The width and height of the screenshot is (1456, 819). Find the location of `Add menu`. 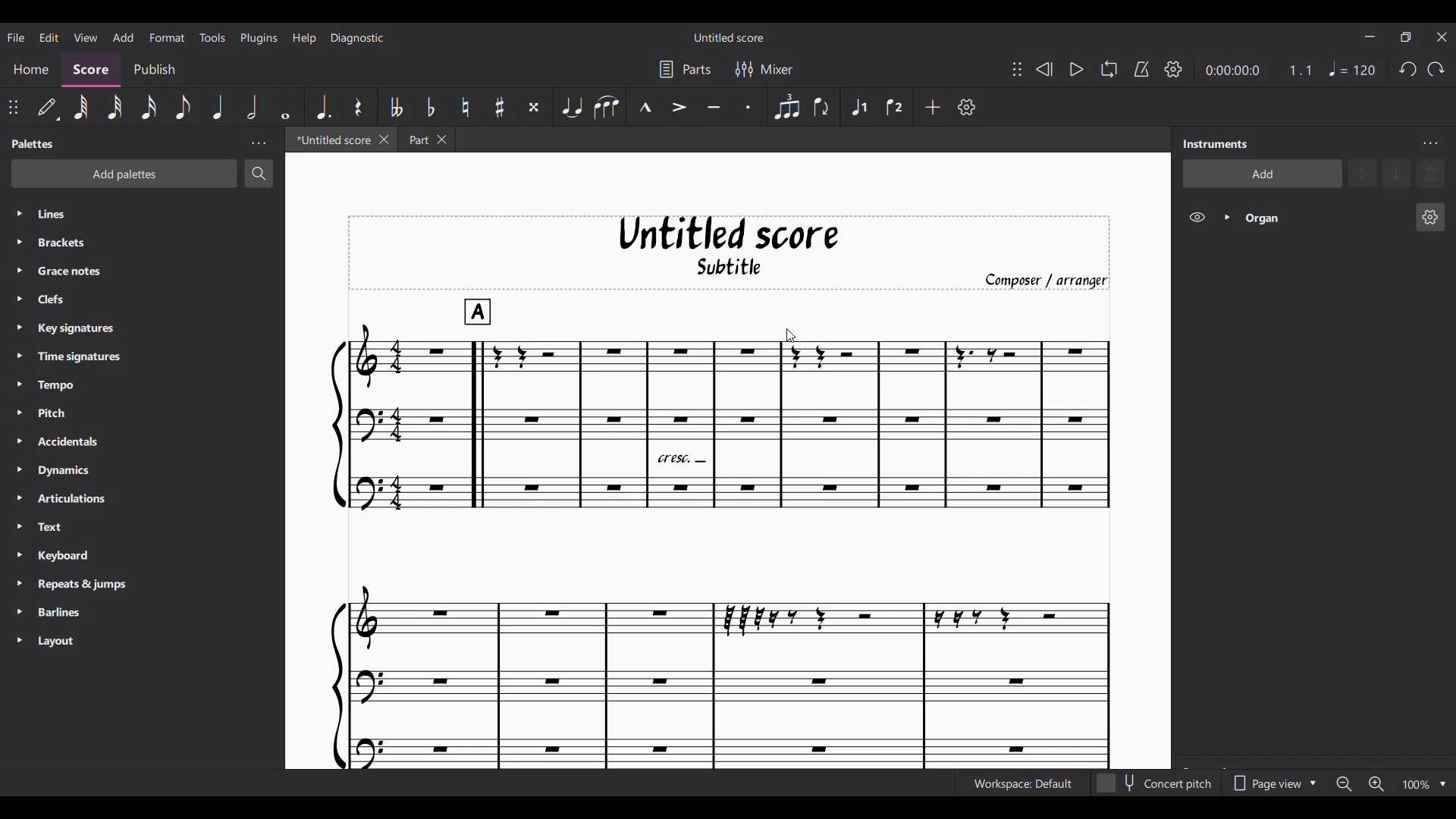

Add menu is located at coordinates (123, 36).